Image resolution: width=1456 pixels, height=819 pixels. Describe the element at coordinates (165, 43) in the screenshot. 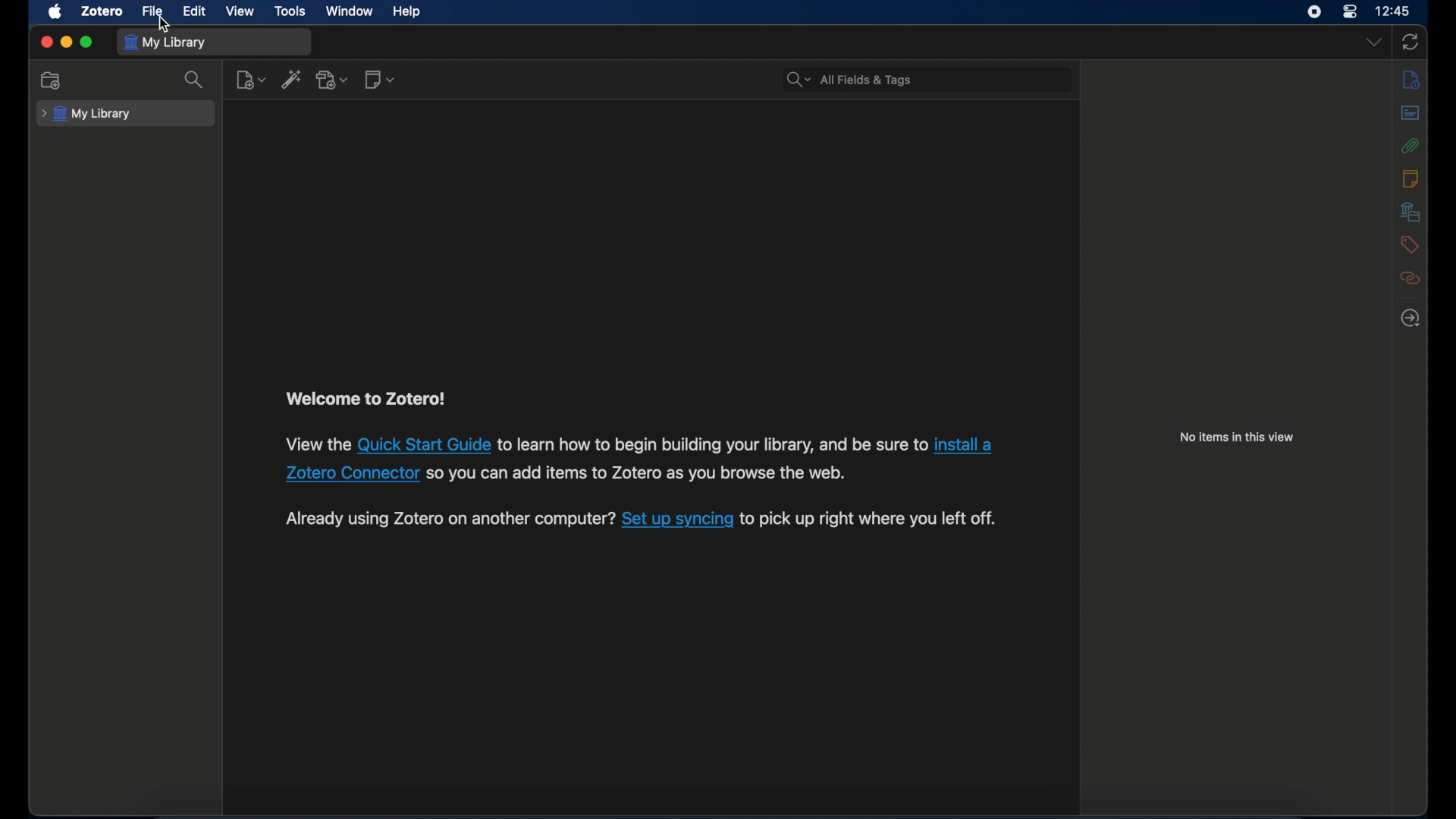

I see `my library` at that location.